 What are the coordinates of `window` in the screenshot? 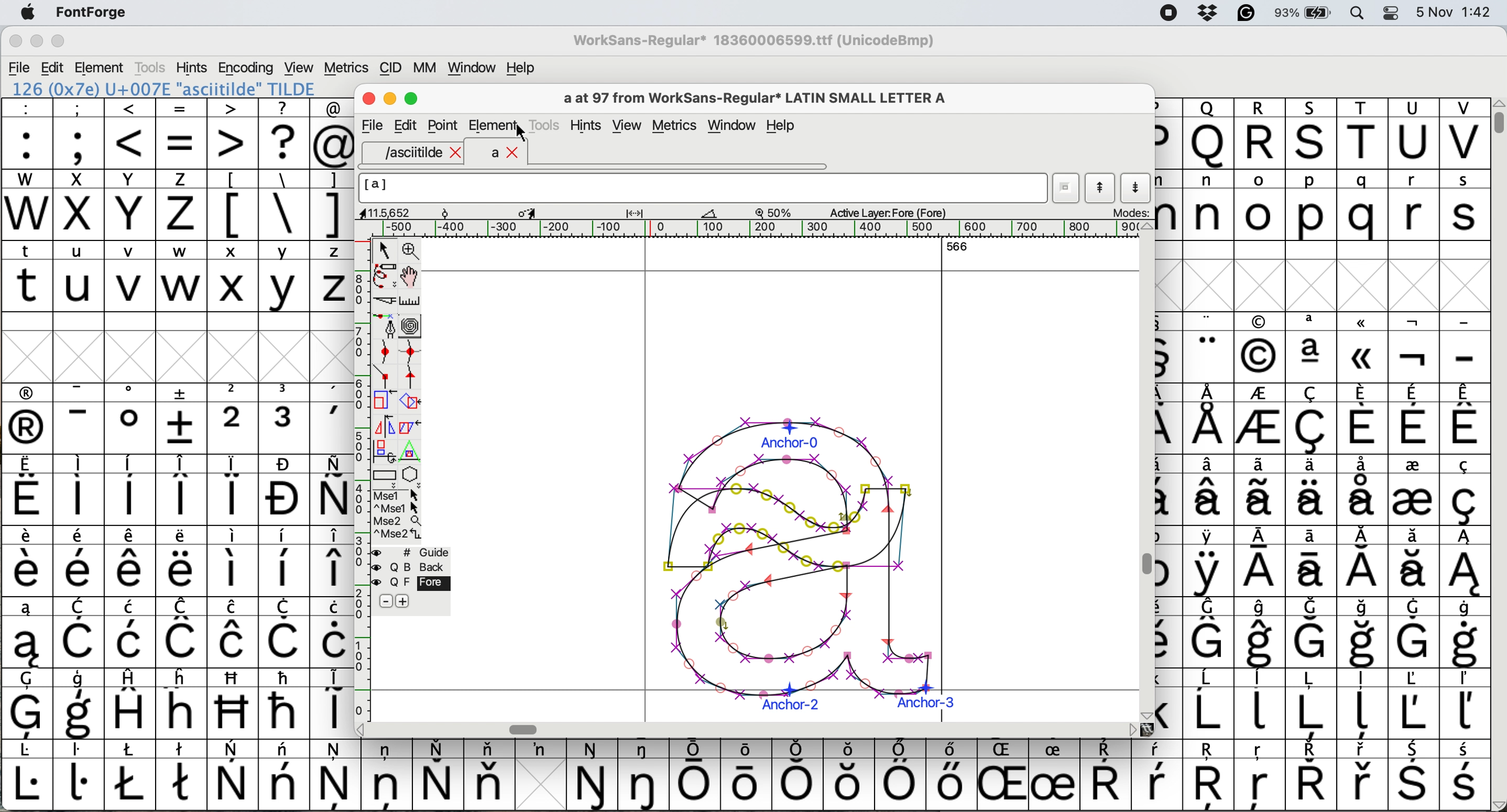 It's located at (469, 68).